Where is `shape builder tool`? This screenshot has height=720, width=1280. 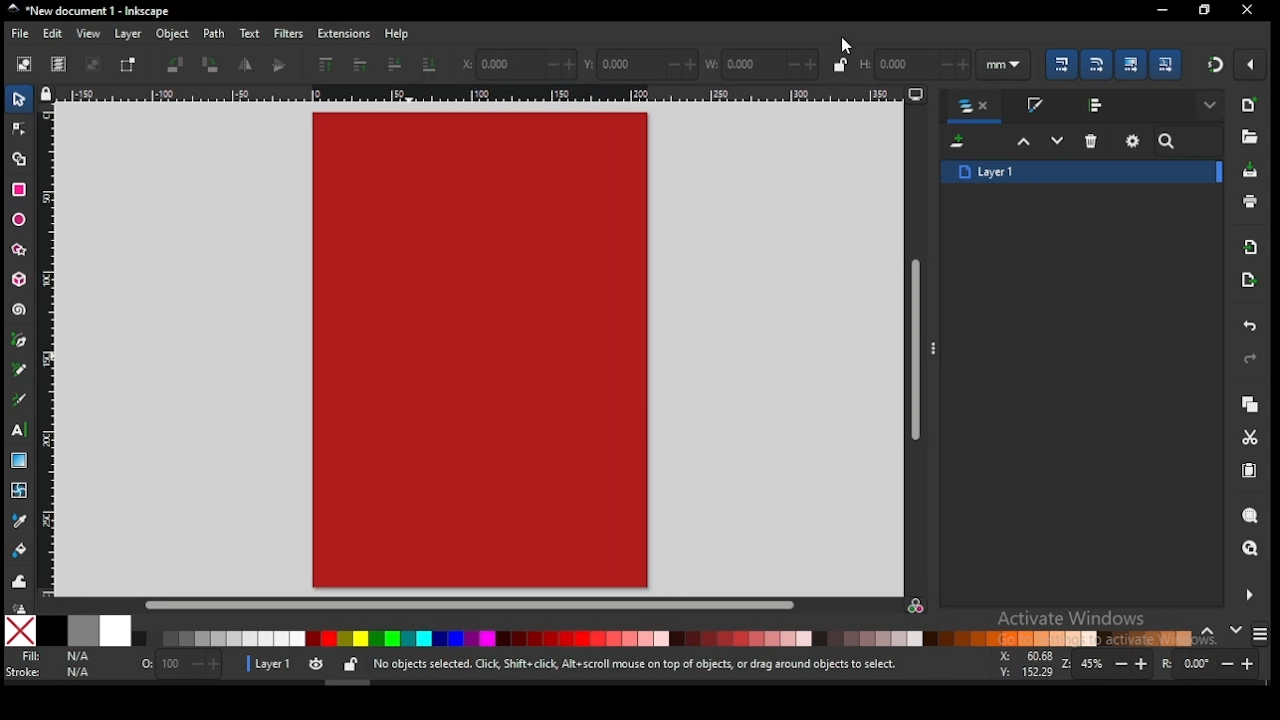 shape builder tool is located at coordinates (20, 157).